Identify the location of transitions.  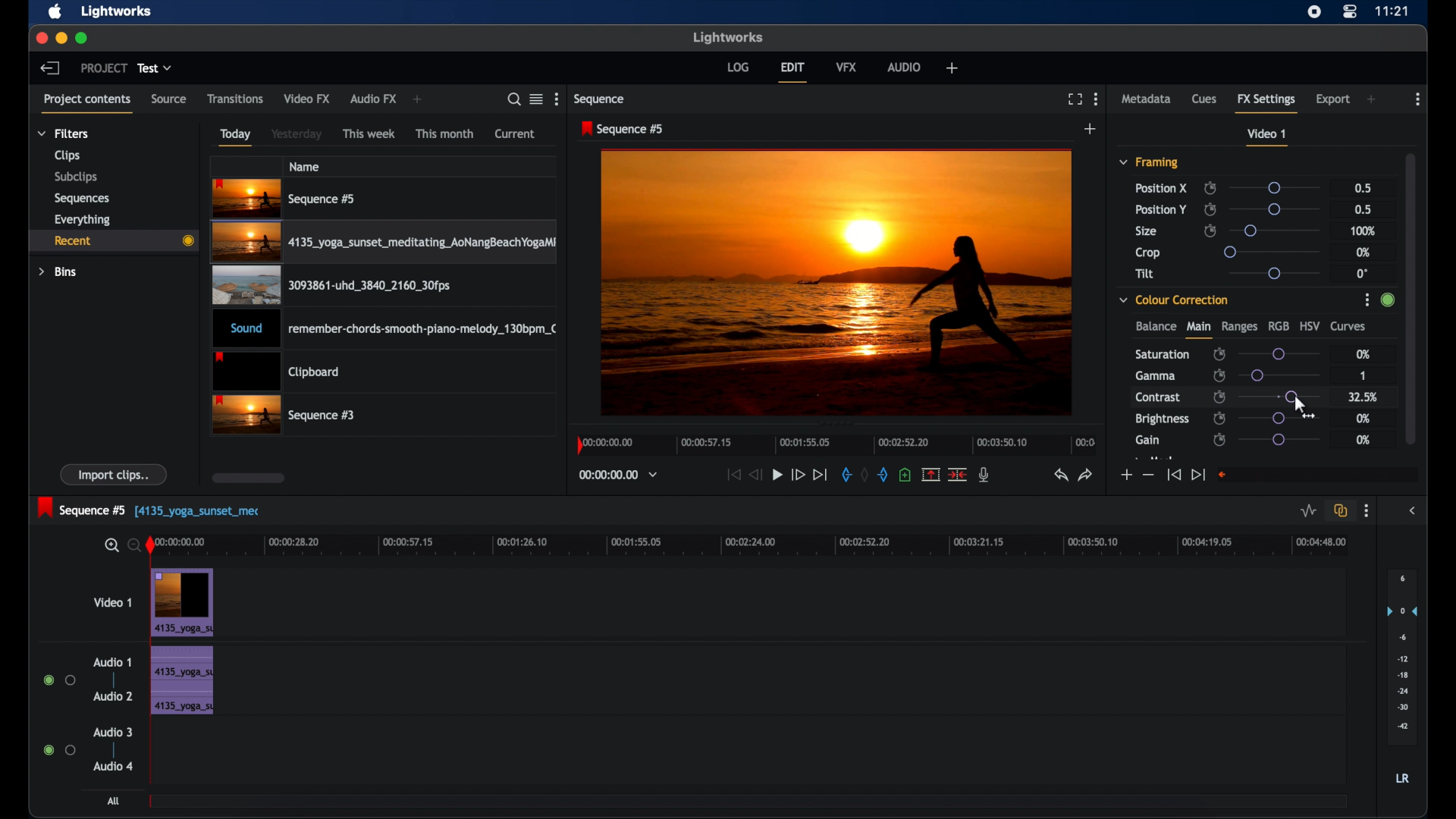
(236, 99).